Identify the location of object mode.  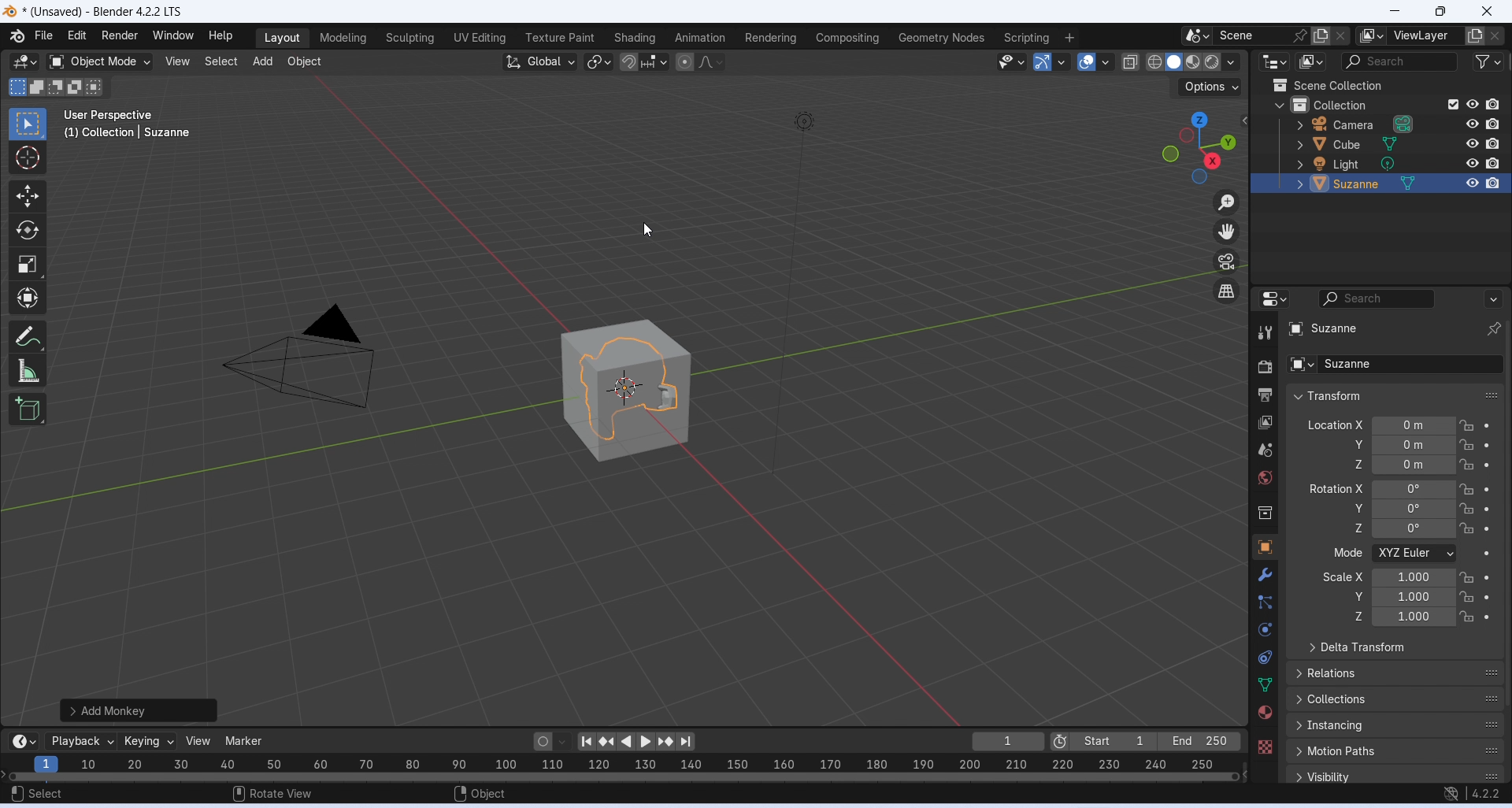
(100, 62).